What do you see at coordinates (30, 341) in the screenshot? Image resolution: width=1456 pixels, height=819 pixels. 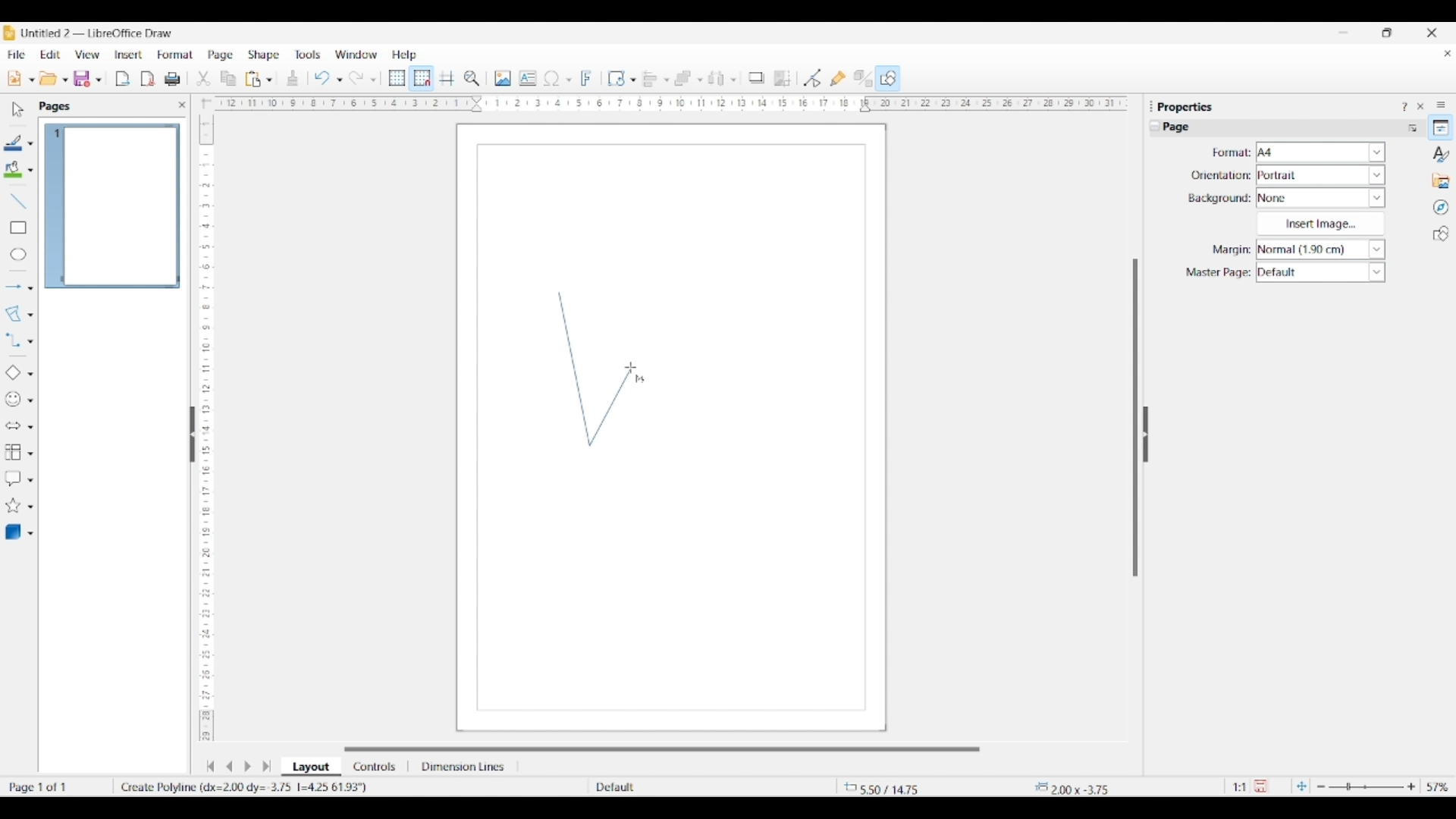 I see `Connector options` at bounding box center [30, 341].